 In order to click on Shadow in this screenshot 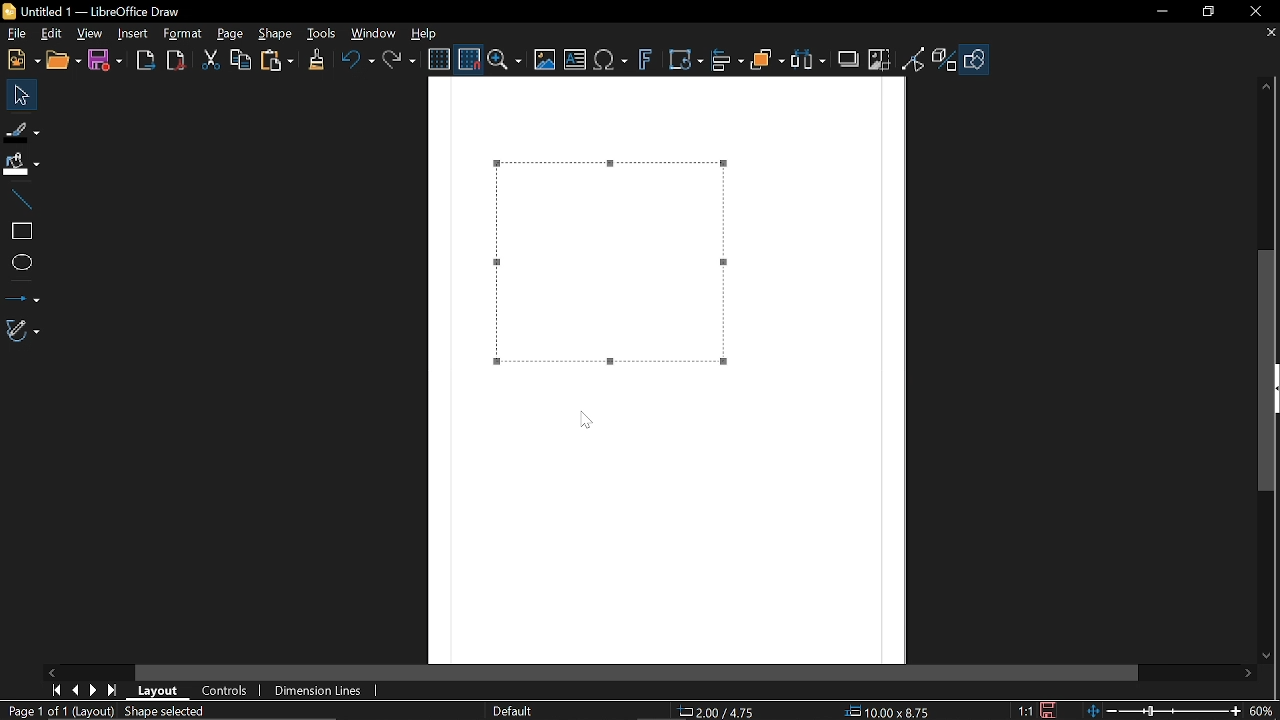, I will do `click(848, 59)`.